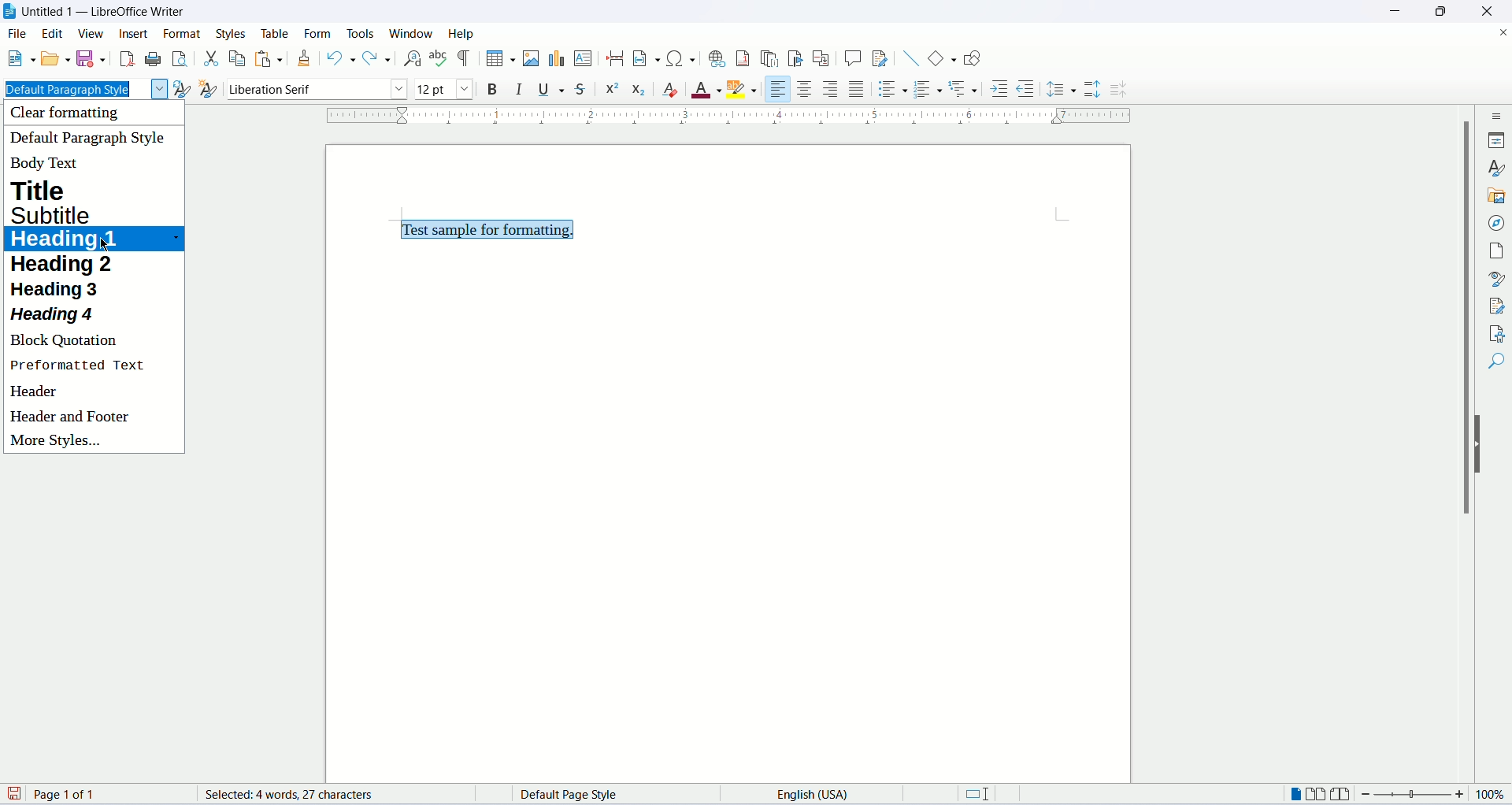  I want to click on Test sample for formatting., so click(489, 228).